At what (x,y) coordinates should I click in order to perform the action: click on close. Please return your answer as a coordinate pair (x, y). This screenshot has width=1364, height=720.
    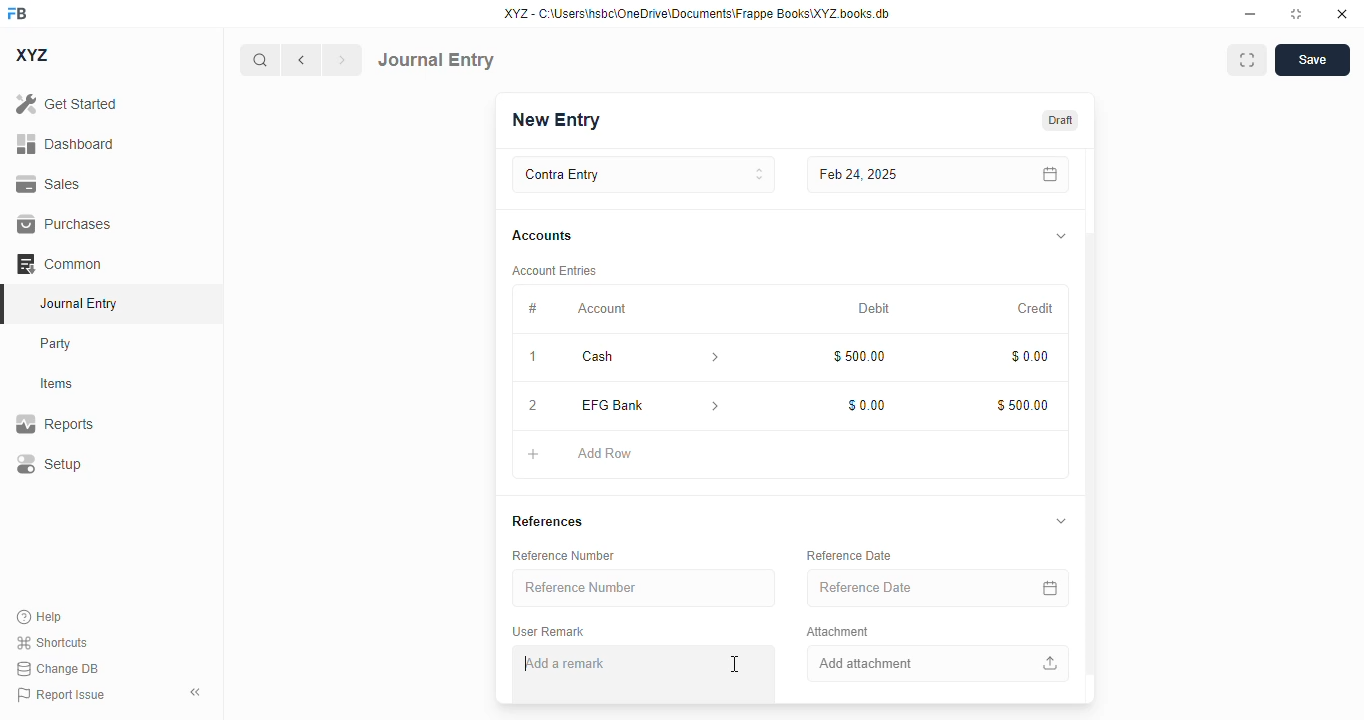
    Looking at the image, I should click on (1342, 14).